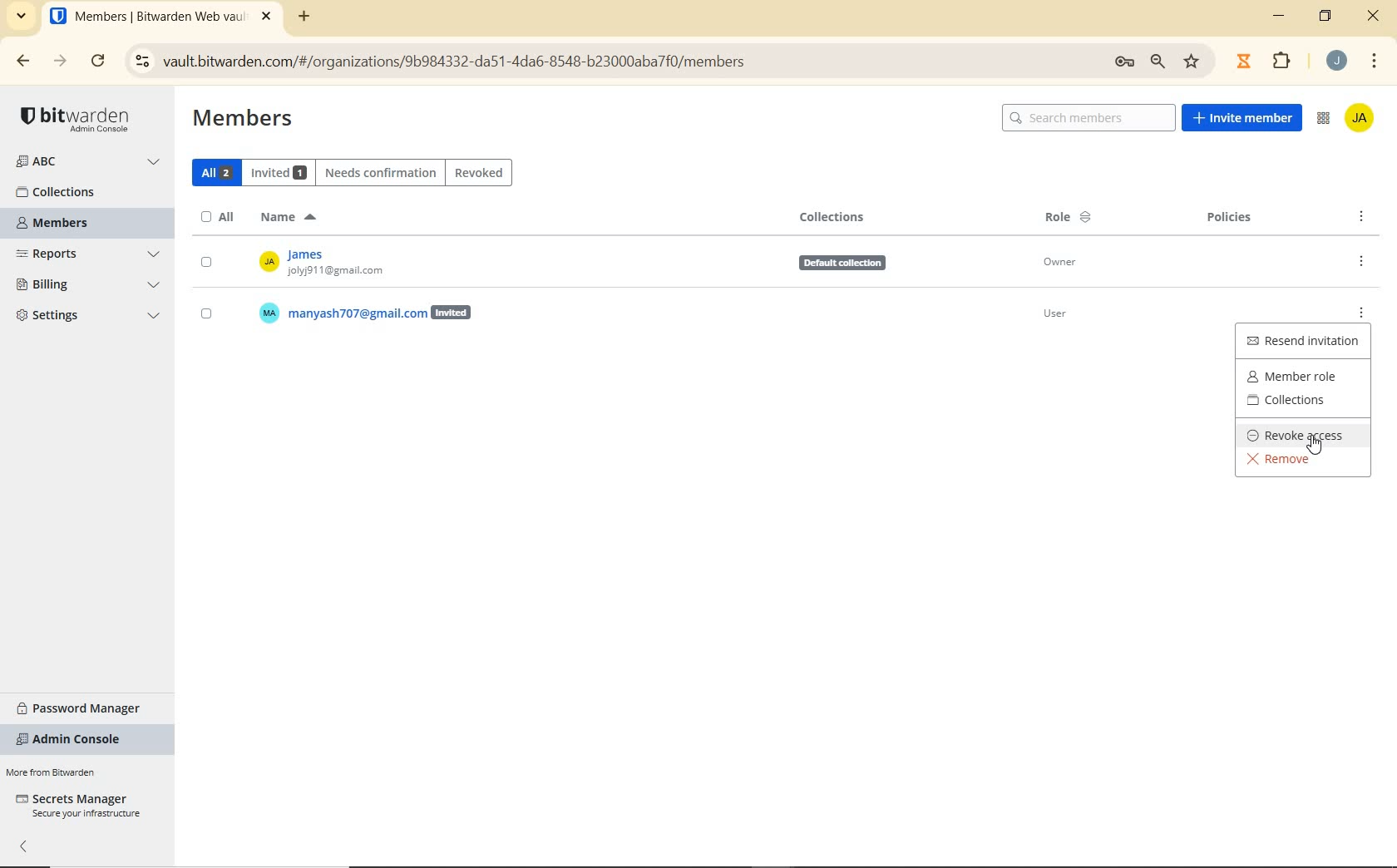 This screenshot has width=1397, height=868. I want to click on , so click(218, 217).